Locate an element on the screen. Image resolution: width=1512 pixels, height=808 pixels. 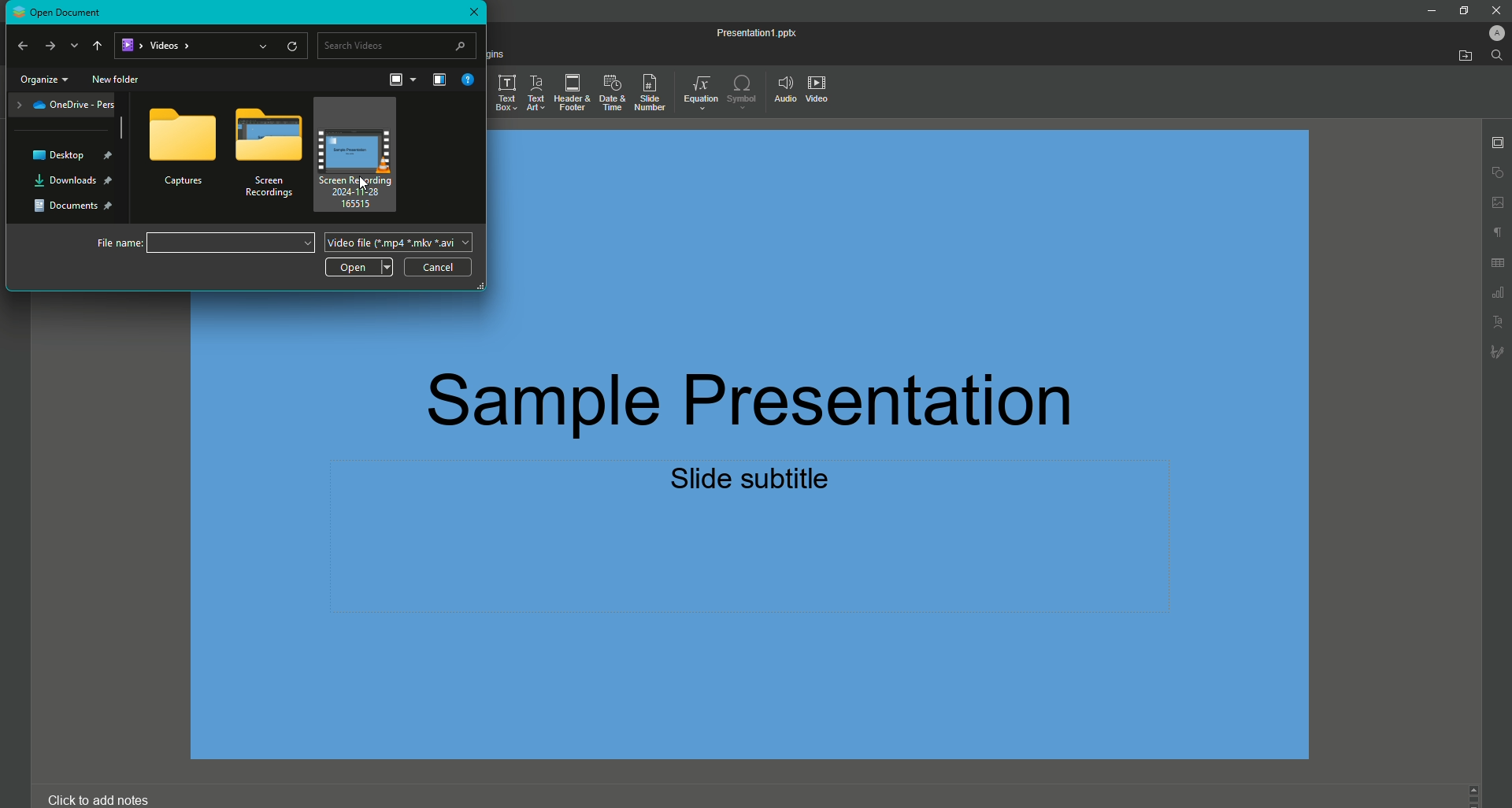
Symbol is located at coordinates (742, 91).